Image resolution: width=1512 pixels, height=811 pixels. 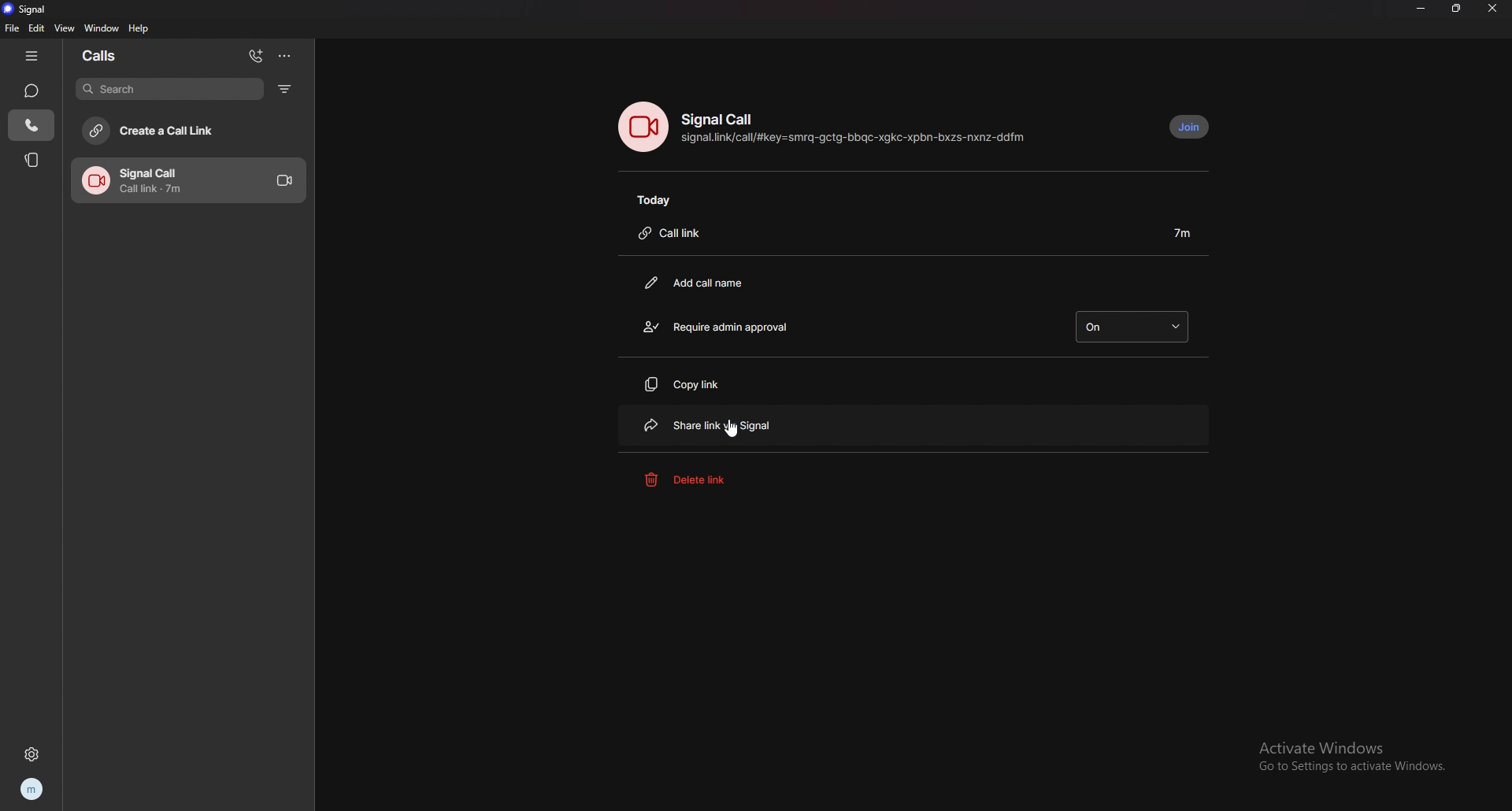 I want to click on voice call, so click(x=643, y=127).